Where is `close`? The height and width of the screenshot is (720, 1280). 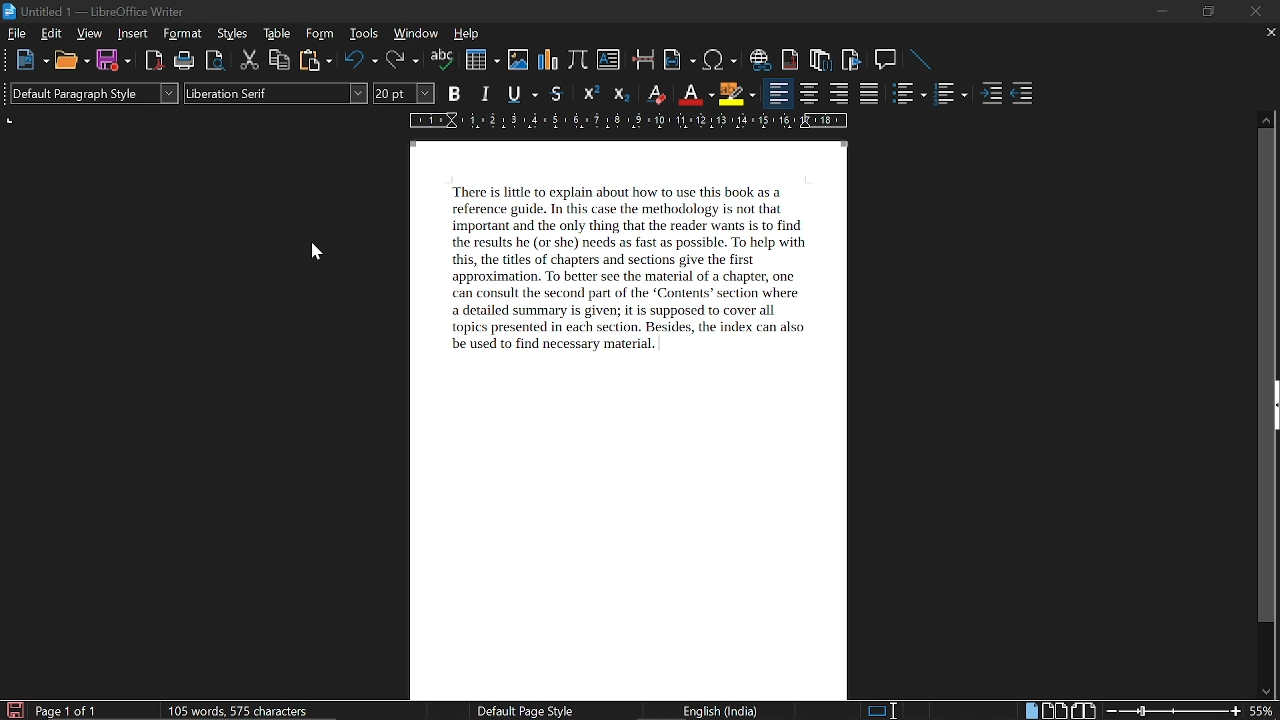 close is located at coordinates (1257, 11).